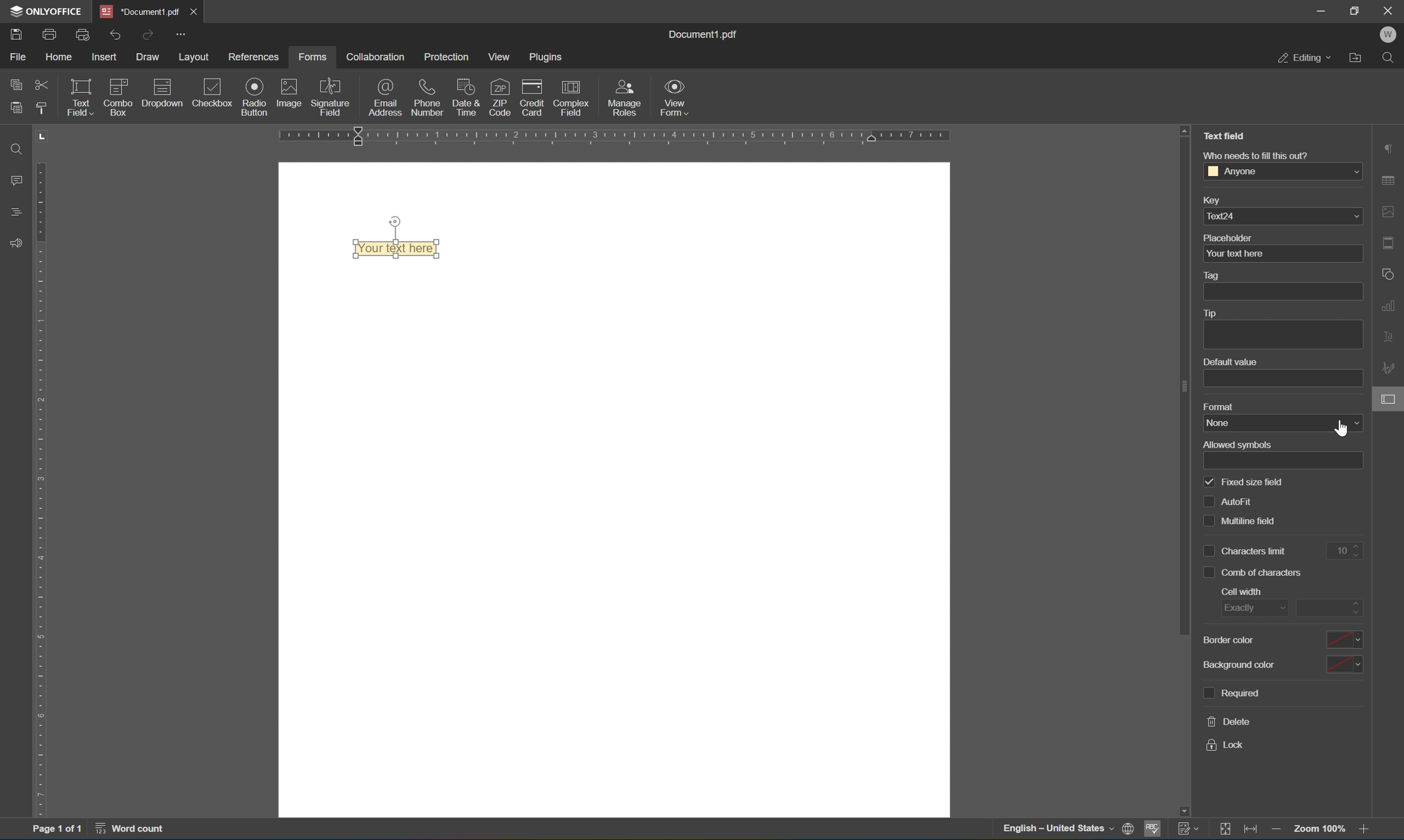 The image size is (1404, 840). Describe the element at coordinates (1390, 303) in the screenshot. I see `chart settings` at that location.